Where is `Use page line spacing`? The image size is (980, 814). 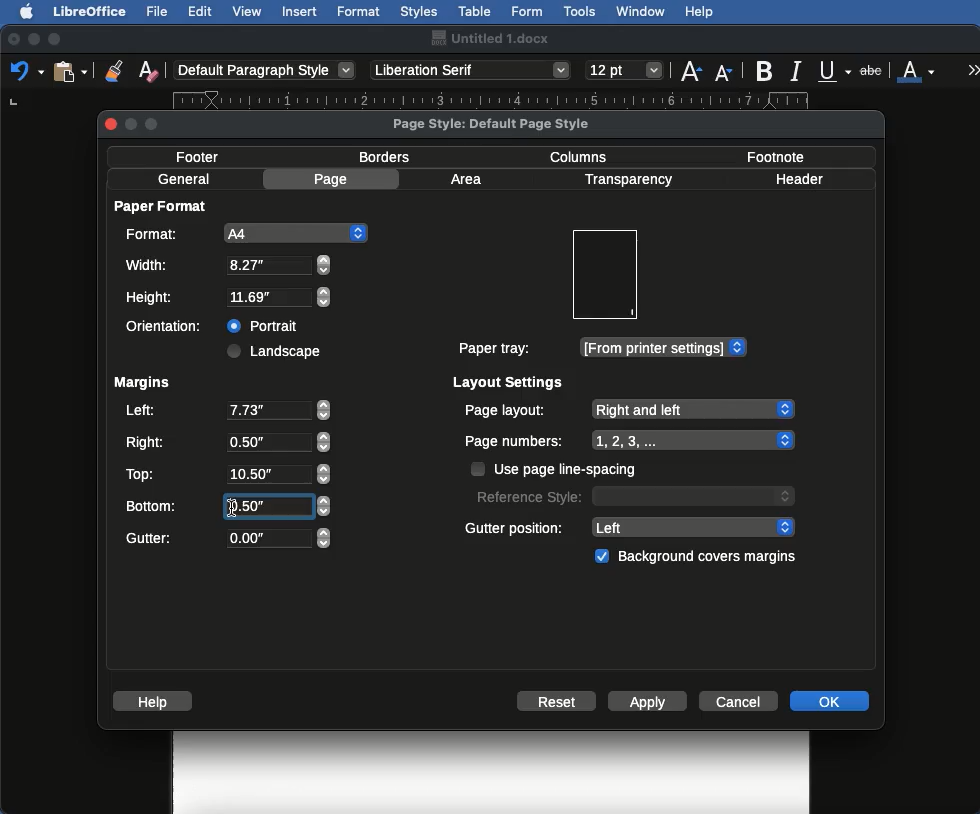 Use page line spacing is located at coordinates (556, 469).